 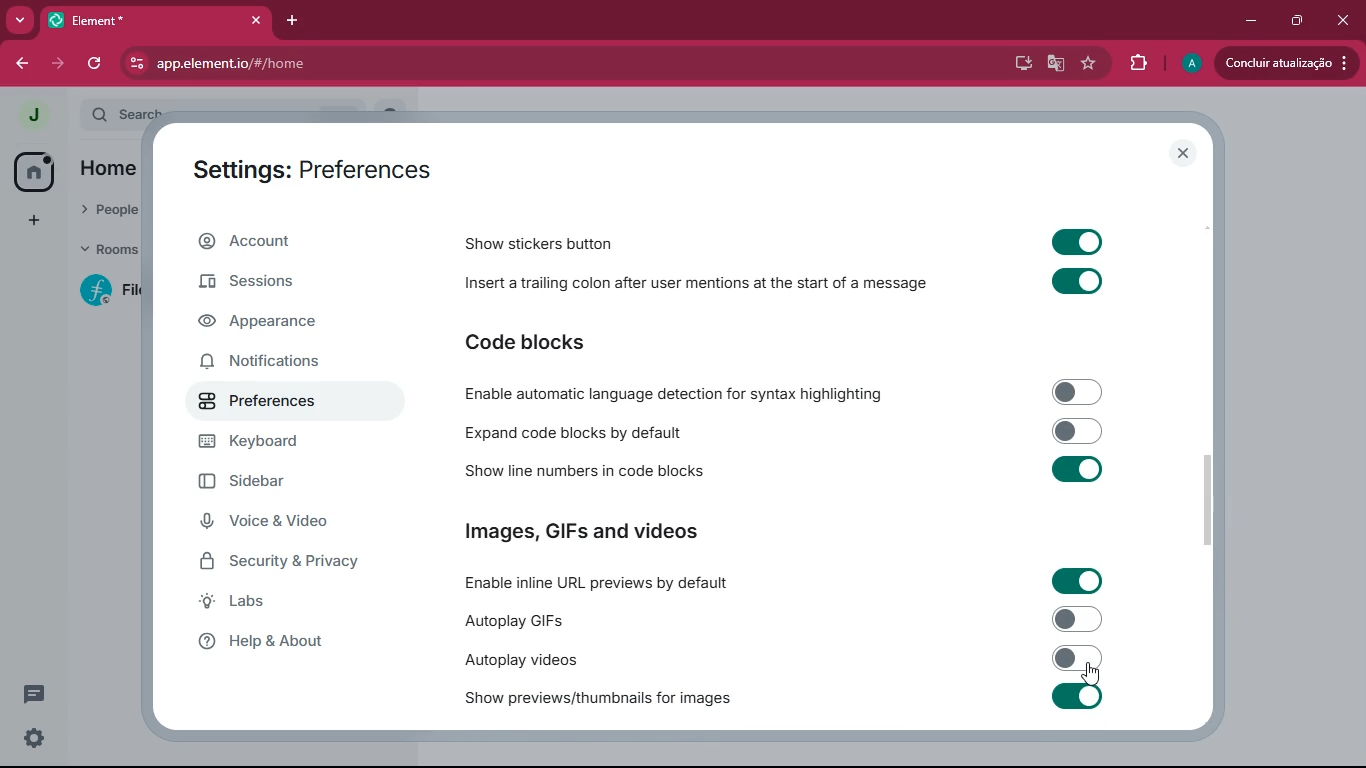 I want to click on close, so click(x=1184, y=153).